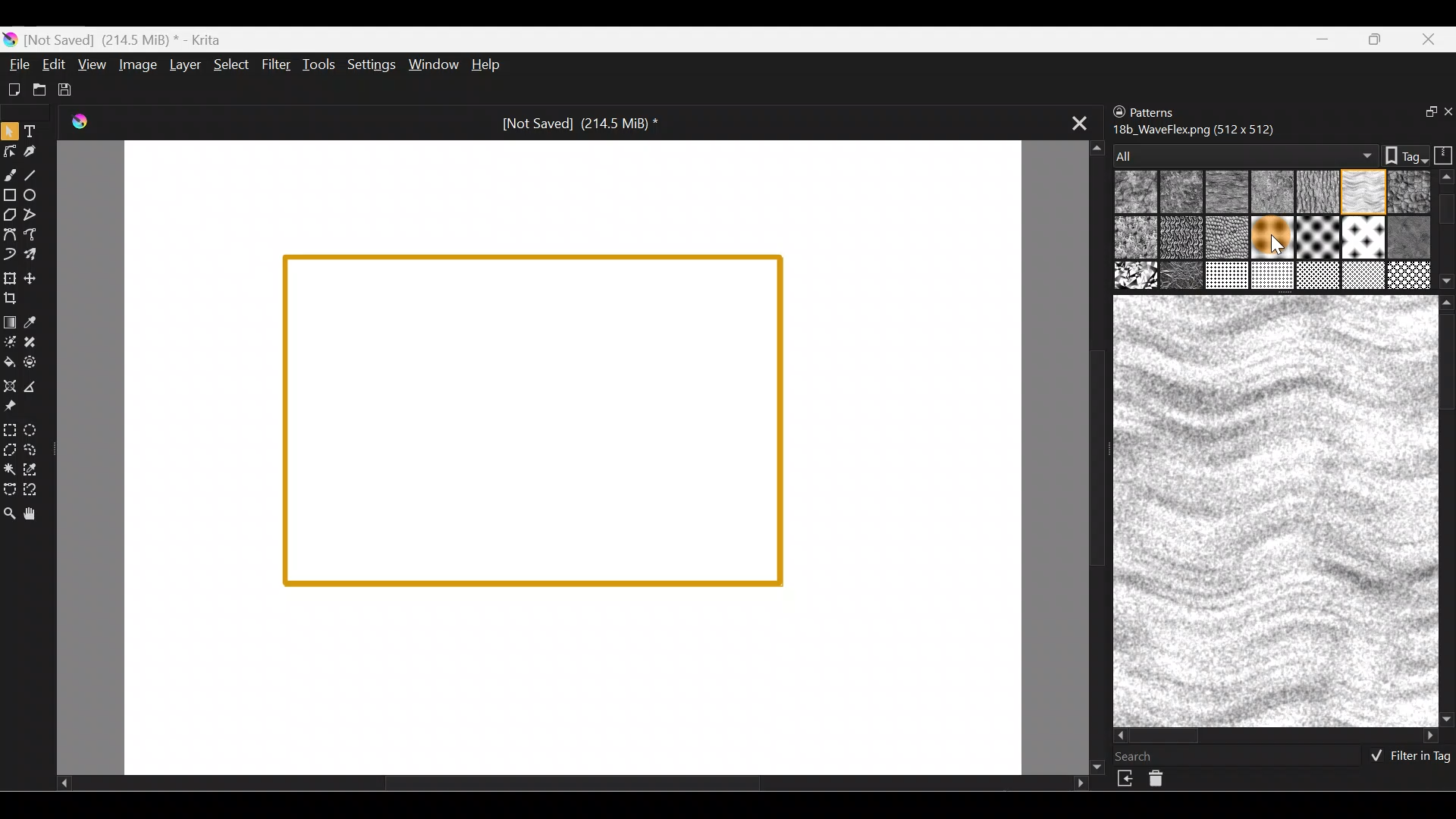  I want to click on Bezier curve tool, so click(9, 236).